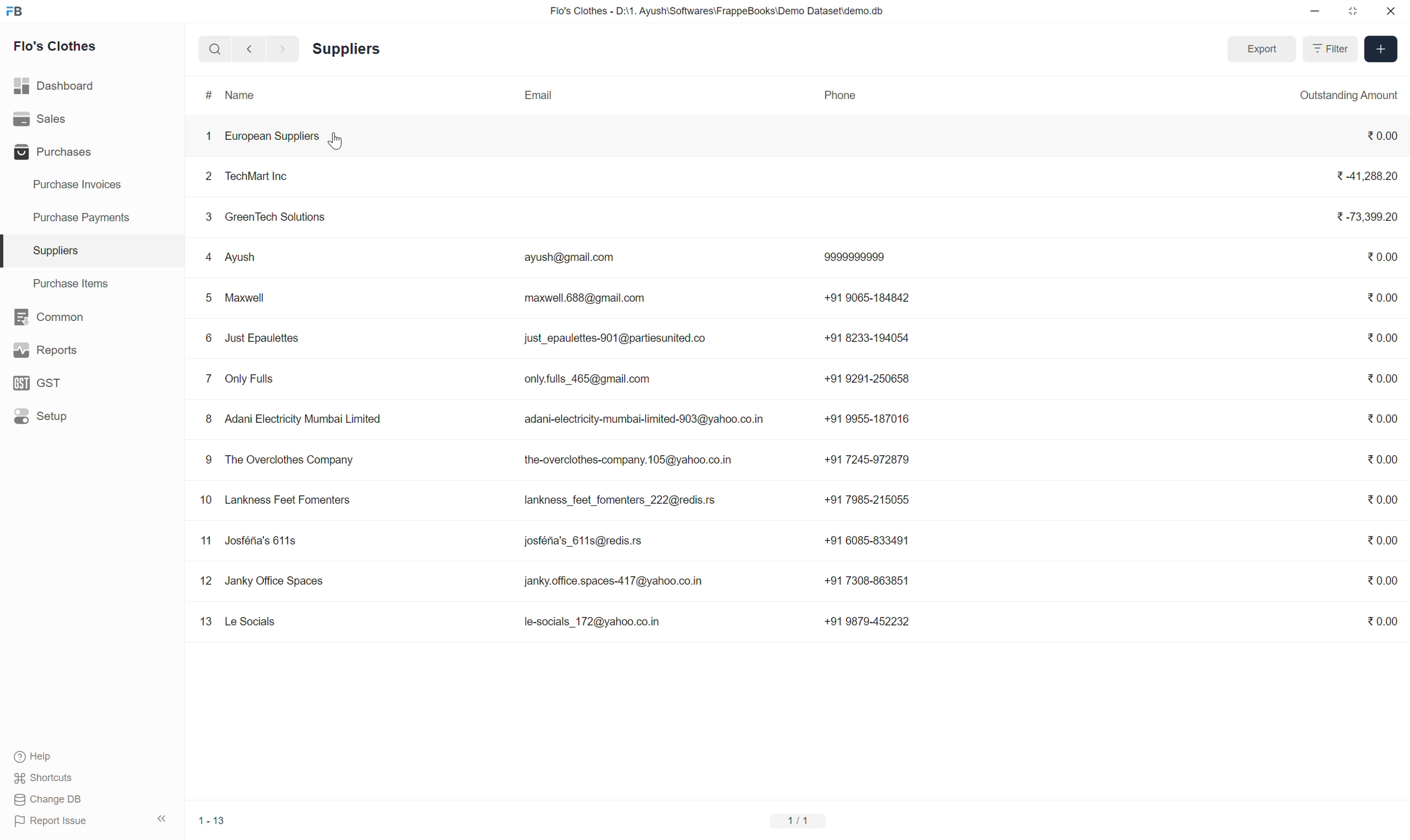 The height and width of the screenshot is (840, 1410). Describe the element at coordinates (49, 799) in the screenshot. I see `Change DB` at that location.